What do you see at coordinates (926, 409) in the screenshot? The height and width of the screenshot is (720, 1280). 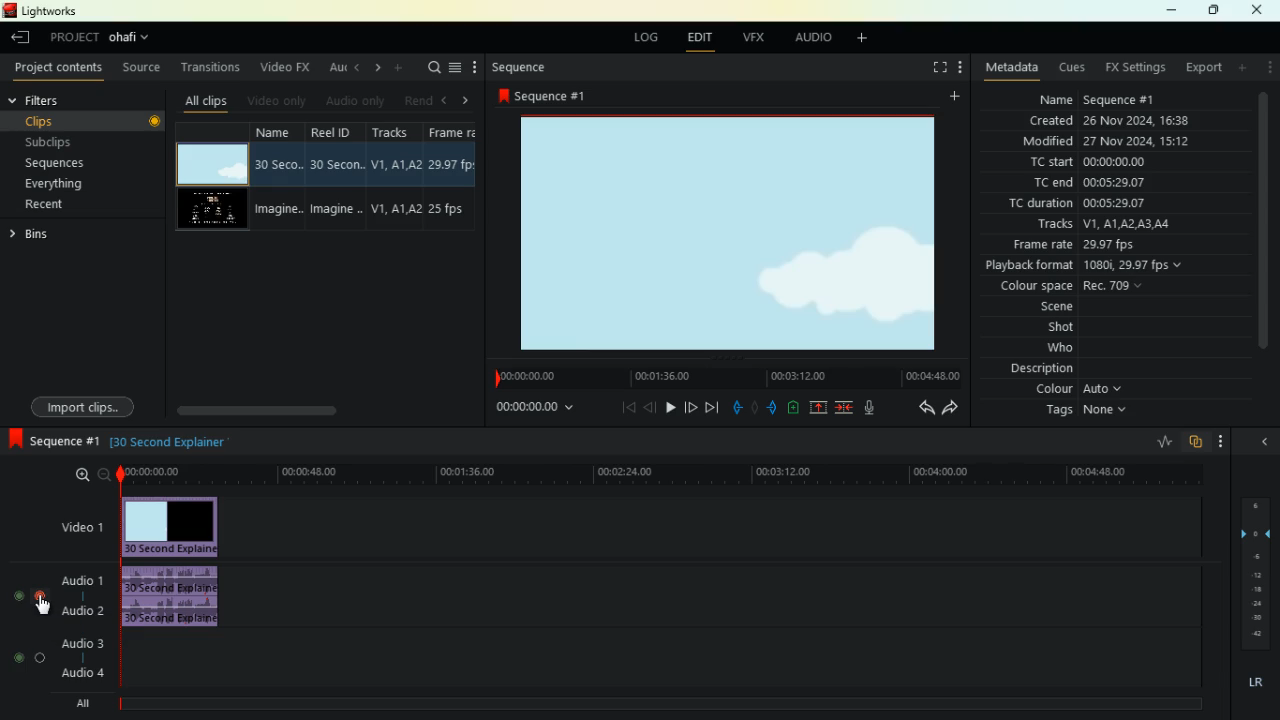 I see `back` at bounding box center [926, 409].